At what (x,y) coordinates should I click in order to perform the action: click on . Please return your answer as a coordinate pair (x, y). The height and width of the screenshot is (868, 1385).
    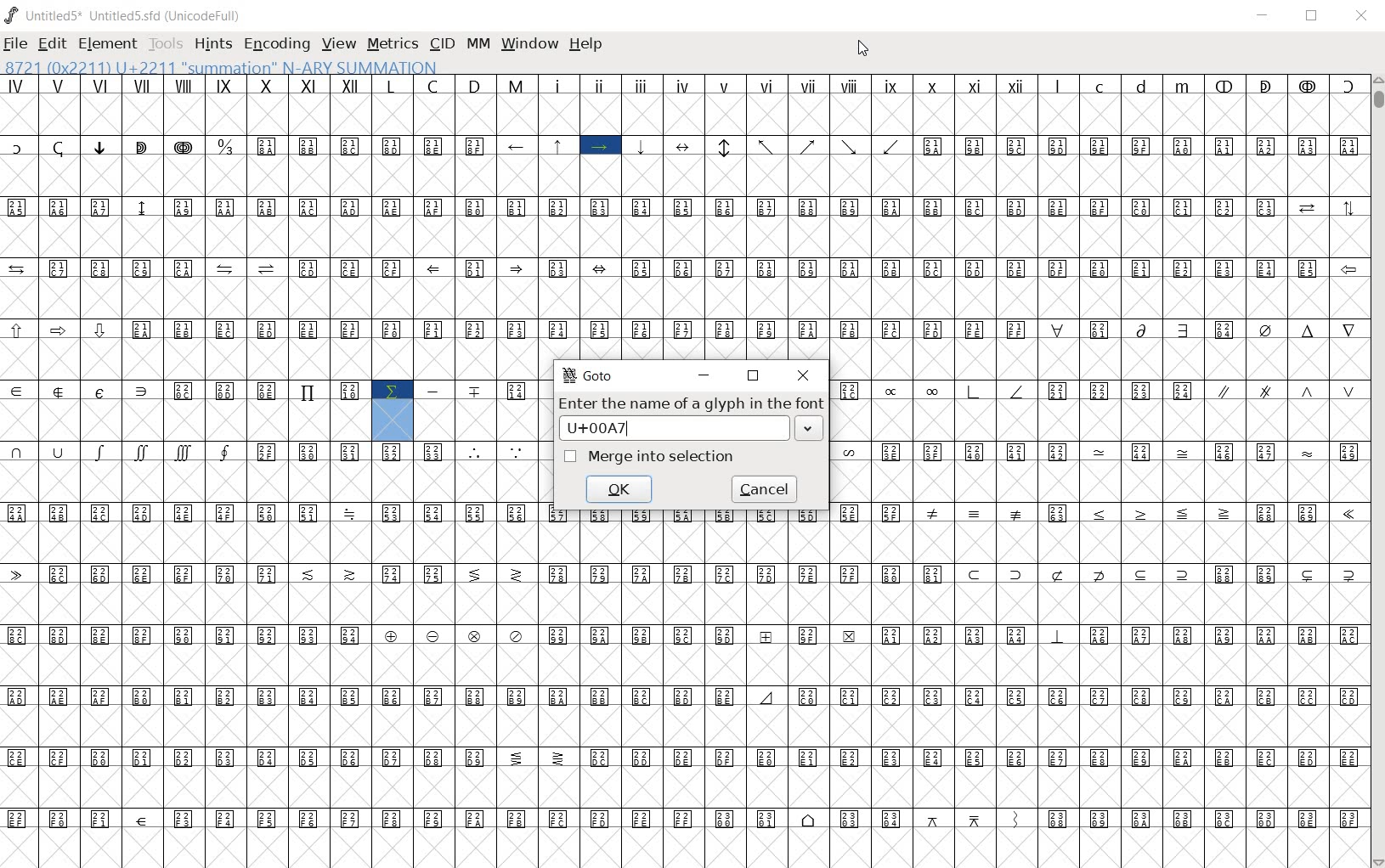
    Looking at the image, I should click on (188, 390).